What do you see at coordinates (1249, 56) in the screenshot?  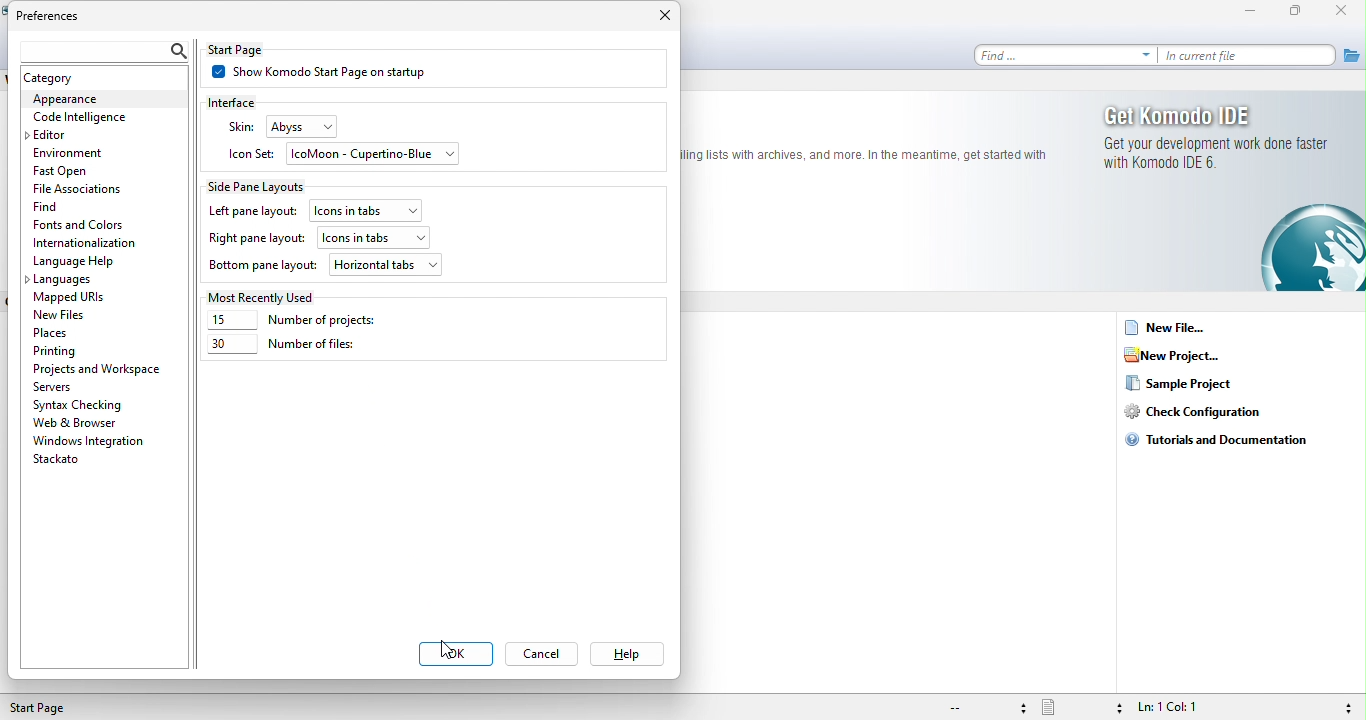 I see `in current file` at bounding box center [1249, 56].